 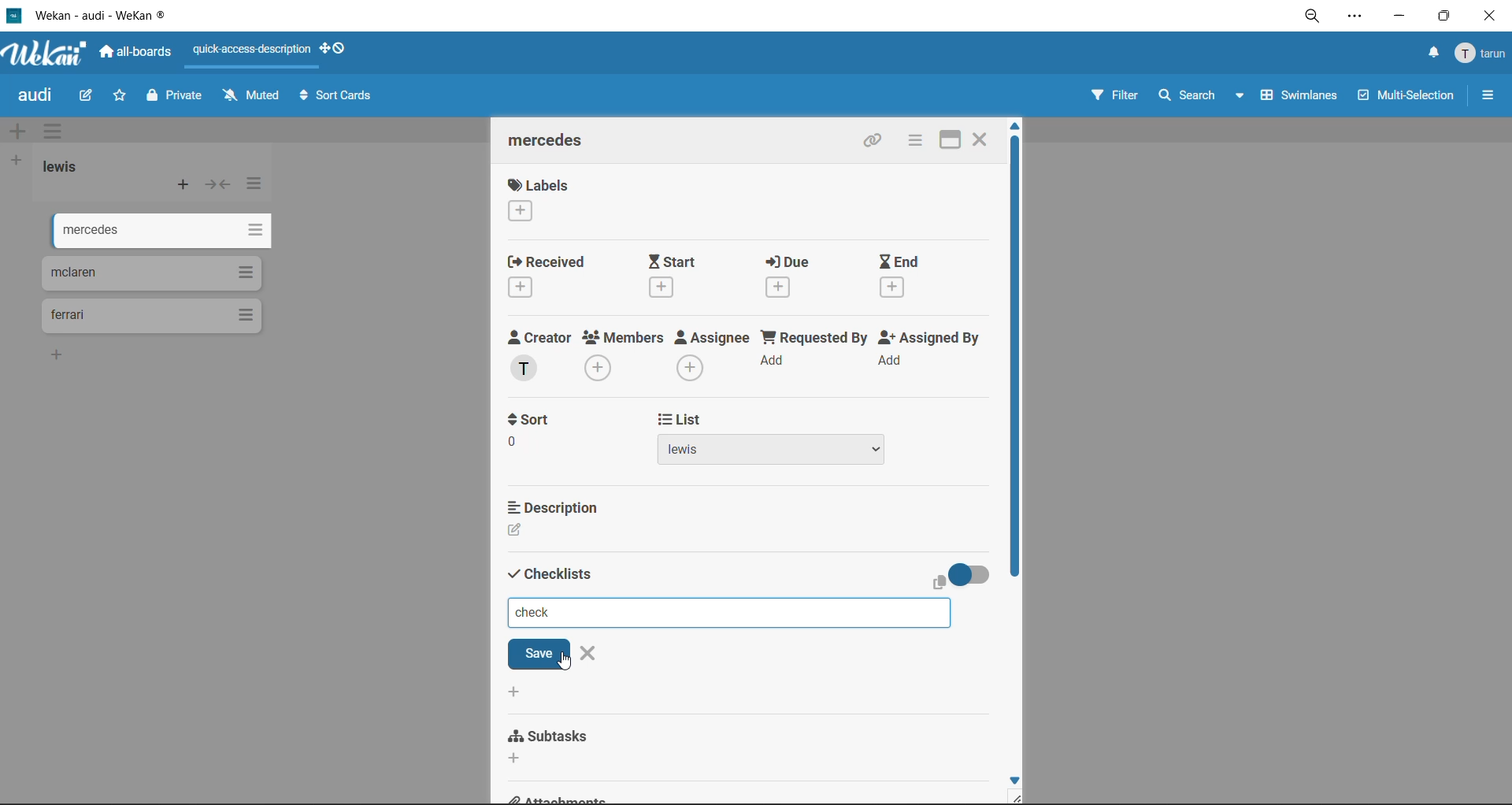 What do you see at coordinates (1440, 20) in the screenshot?
I see `maximize` at bounding box center [1440, 20].